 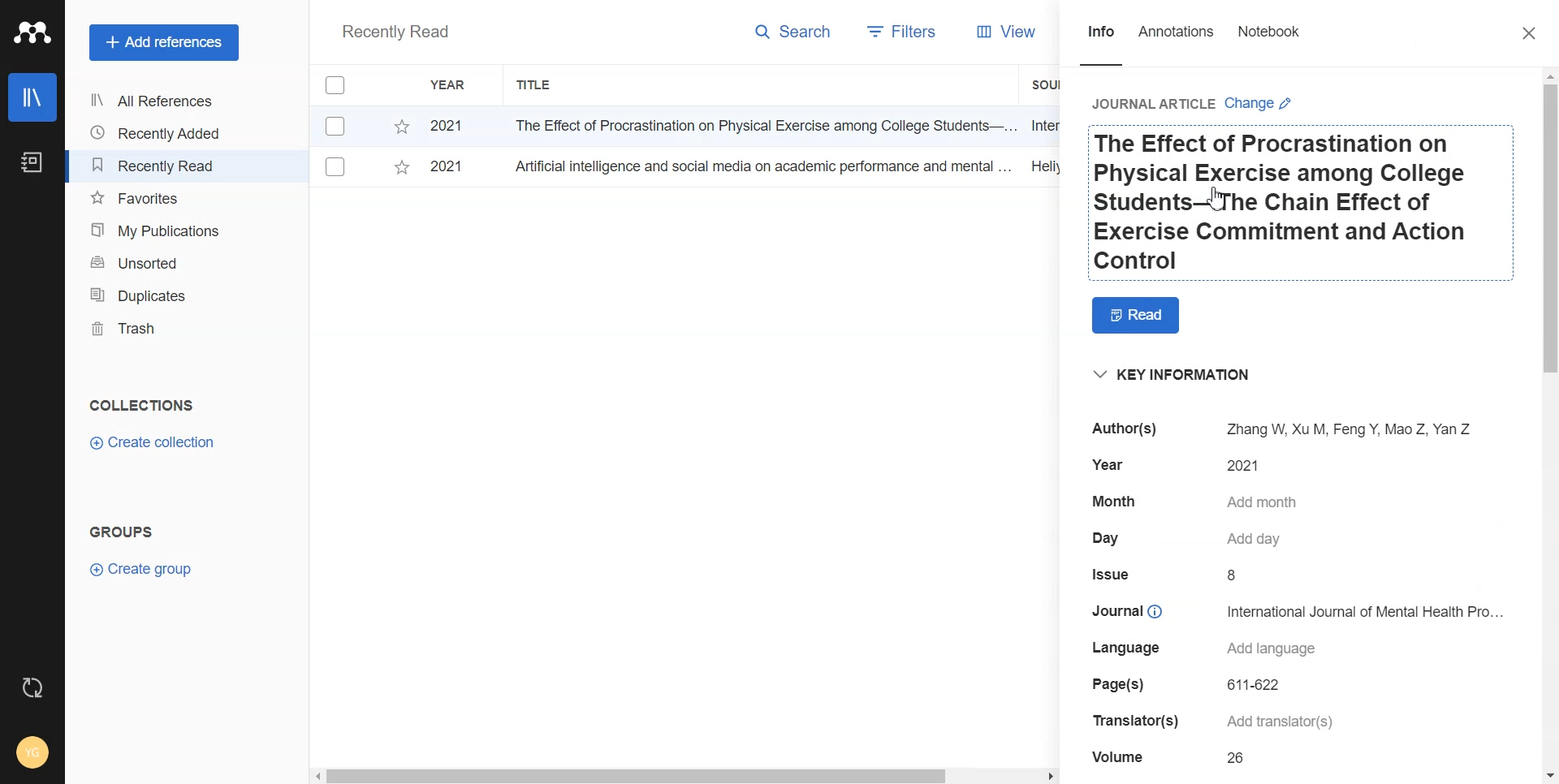 I want to click on Read, so click(x=1137, y=316).